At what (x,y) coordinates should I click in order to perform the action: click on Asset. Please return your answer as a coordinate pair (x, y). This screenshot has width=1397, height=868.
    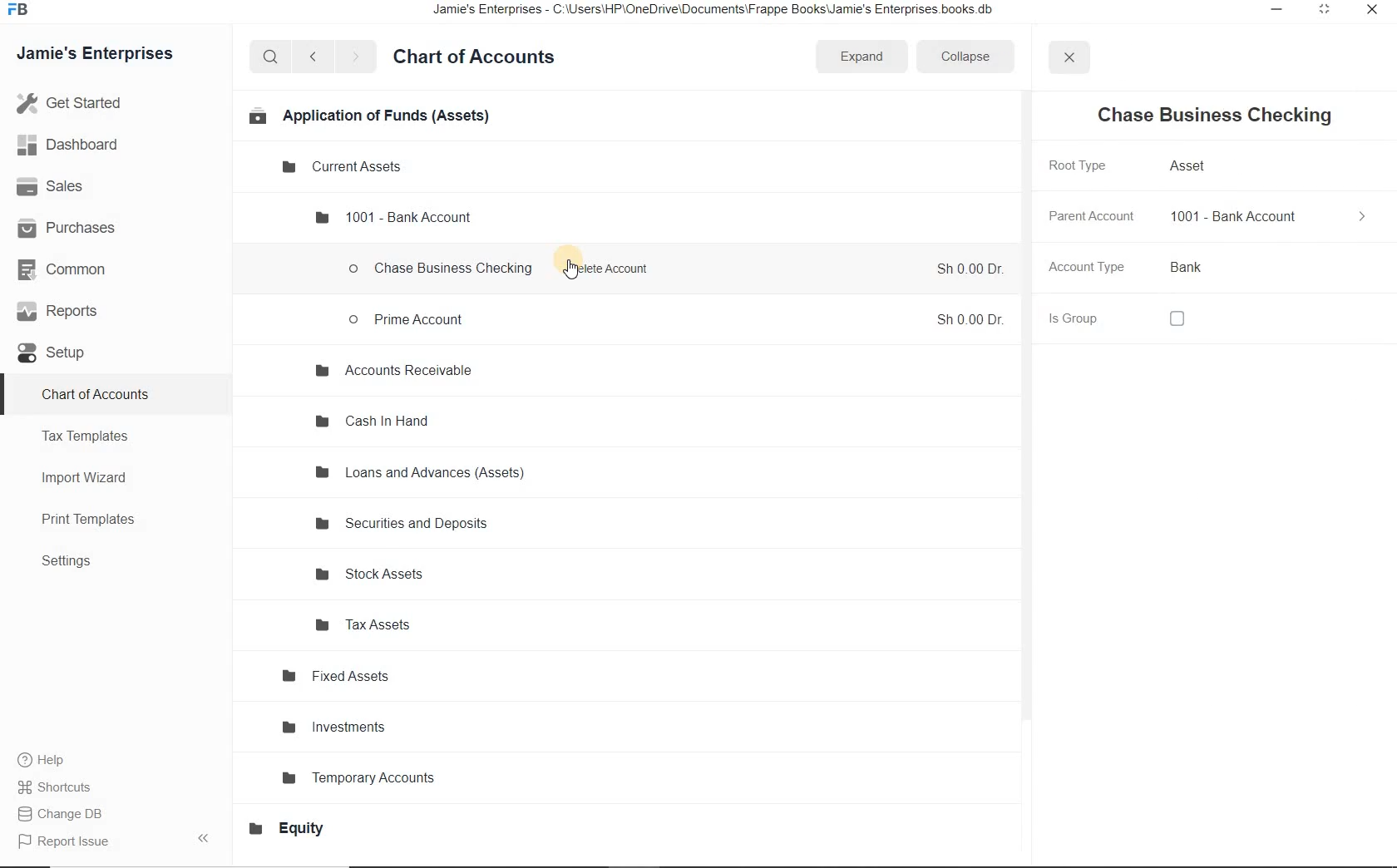
    Looking at the image, I should click on (1191, 165).